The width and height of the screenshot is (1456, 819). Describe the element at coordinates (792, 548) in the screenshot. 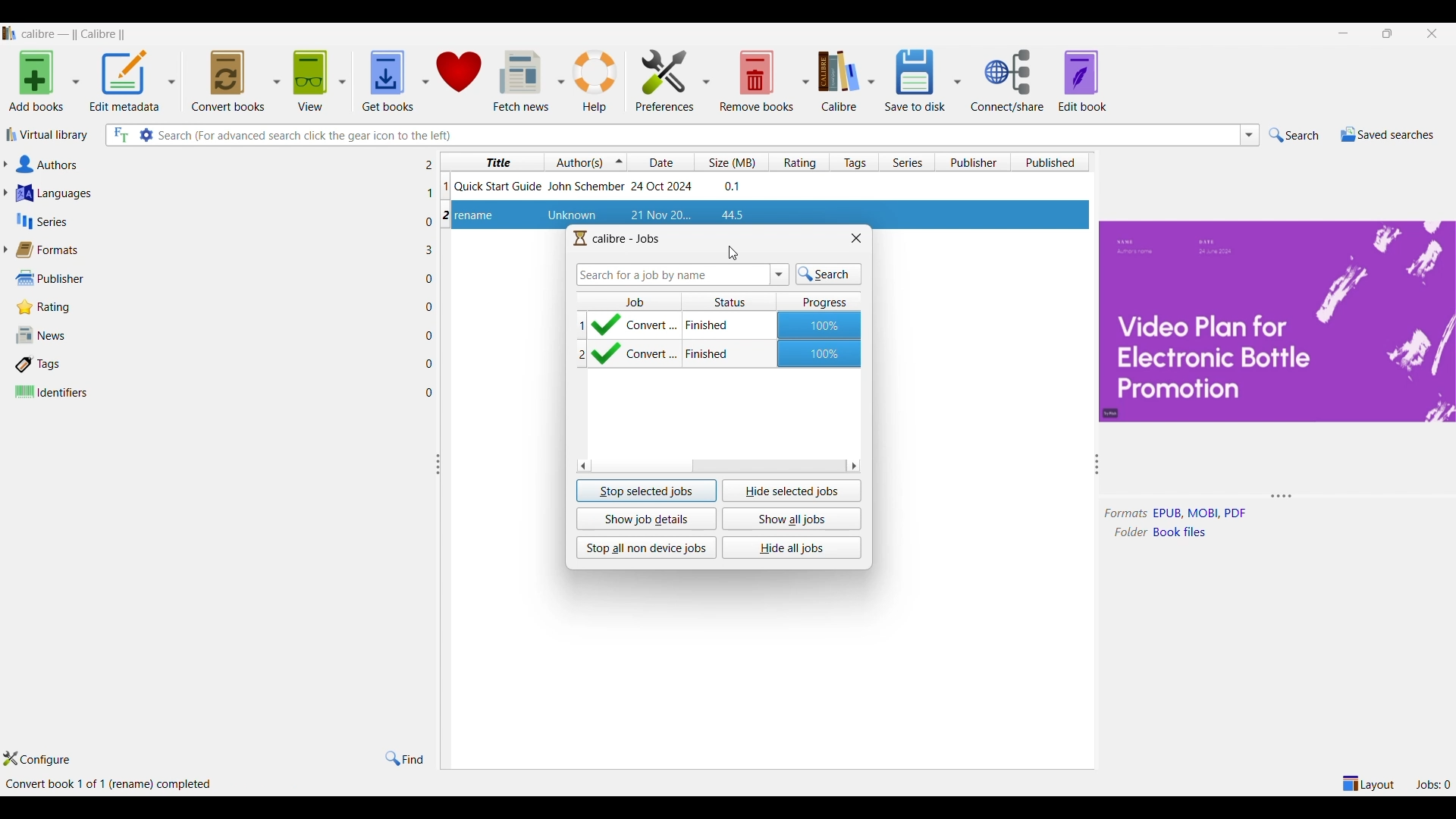

I see `Hide all jobs` at that location.